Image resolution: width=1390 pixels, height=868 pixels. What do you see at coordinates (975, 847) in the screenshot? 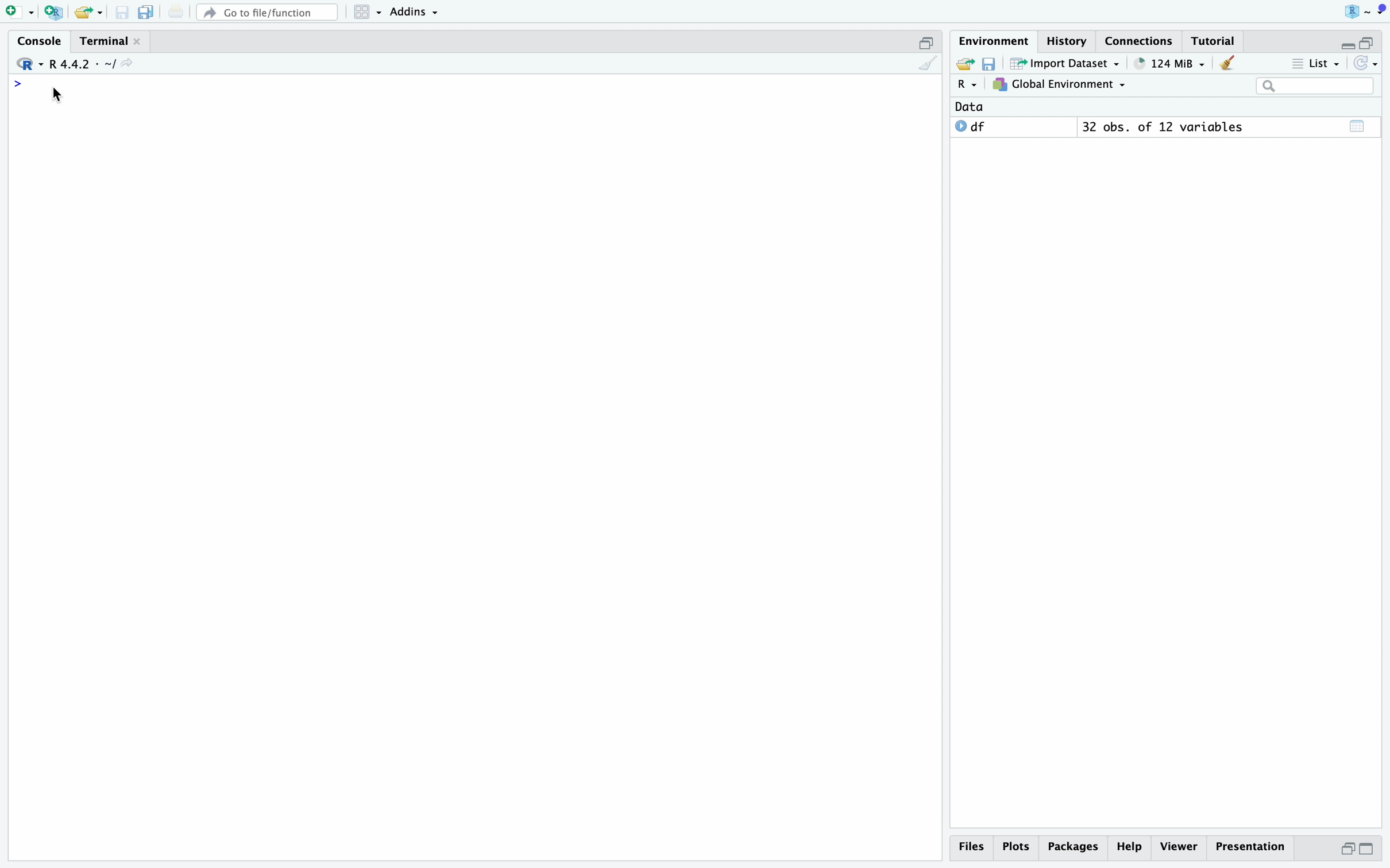
I see `files` at bounding box center [975, 847].